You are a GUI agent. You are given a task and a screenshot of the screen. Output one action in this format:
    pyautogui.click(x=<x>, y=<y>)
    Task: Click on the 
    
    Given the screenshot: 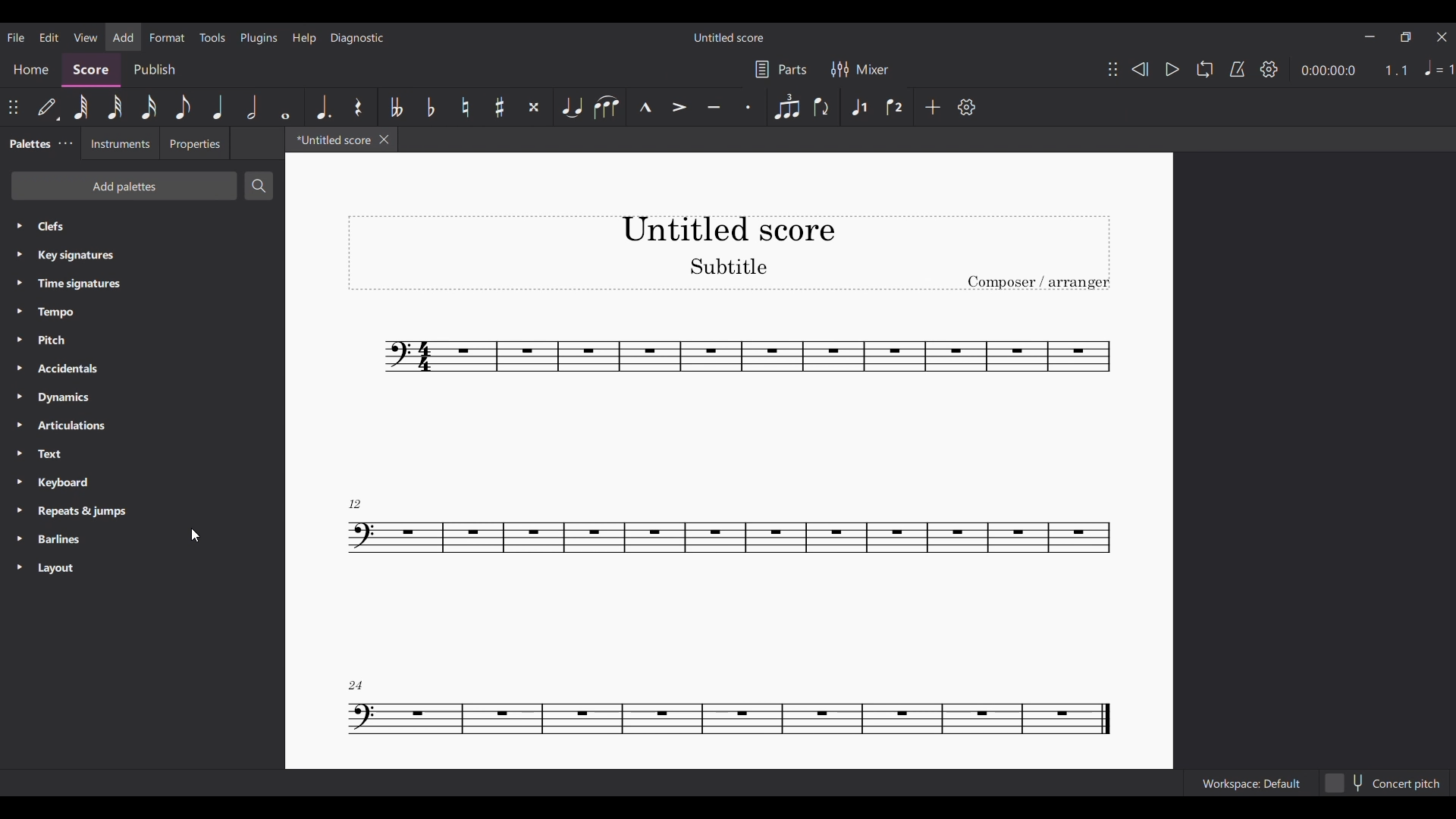 What is the action you would take?
    pyautogui.click(x=184, y=109)
    